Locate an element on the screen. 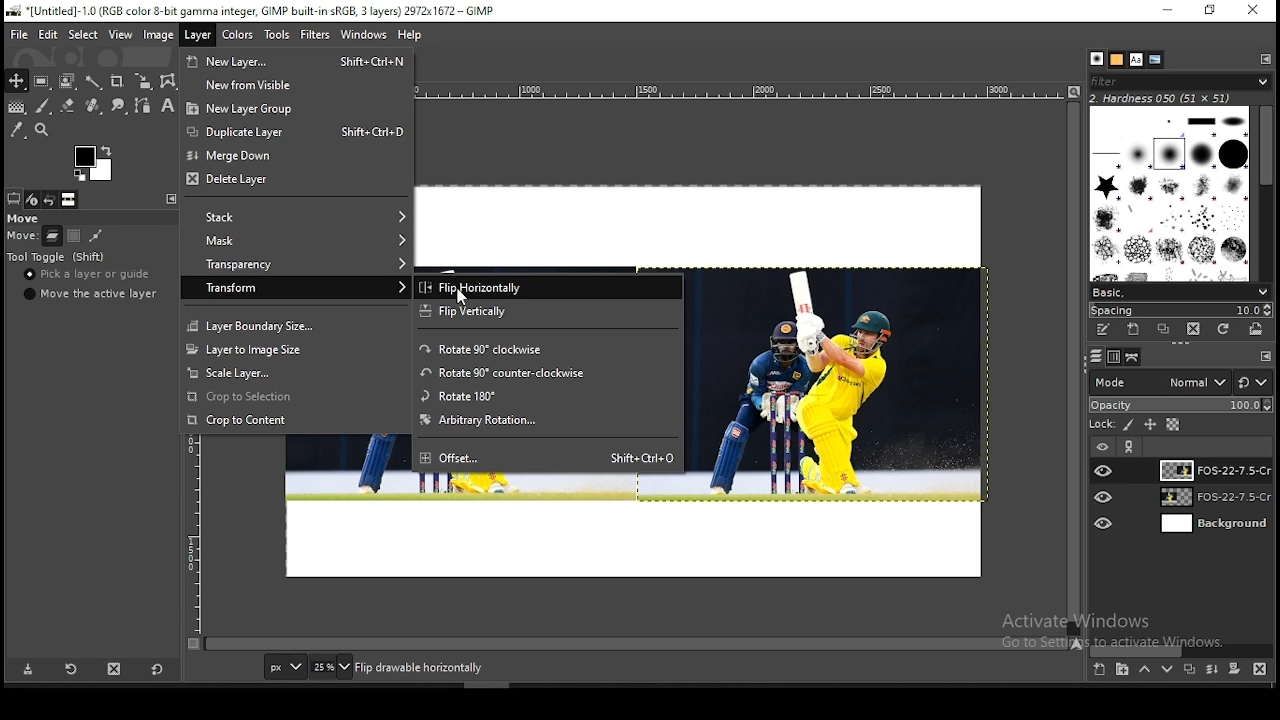 The height and width of the screenshot is (720, 1280). edit is located at coordinates (50, 34).